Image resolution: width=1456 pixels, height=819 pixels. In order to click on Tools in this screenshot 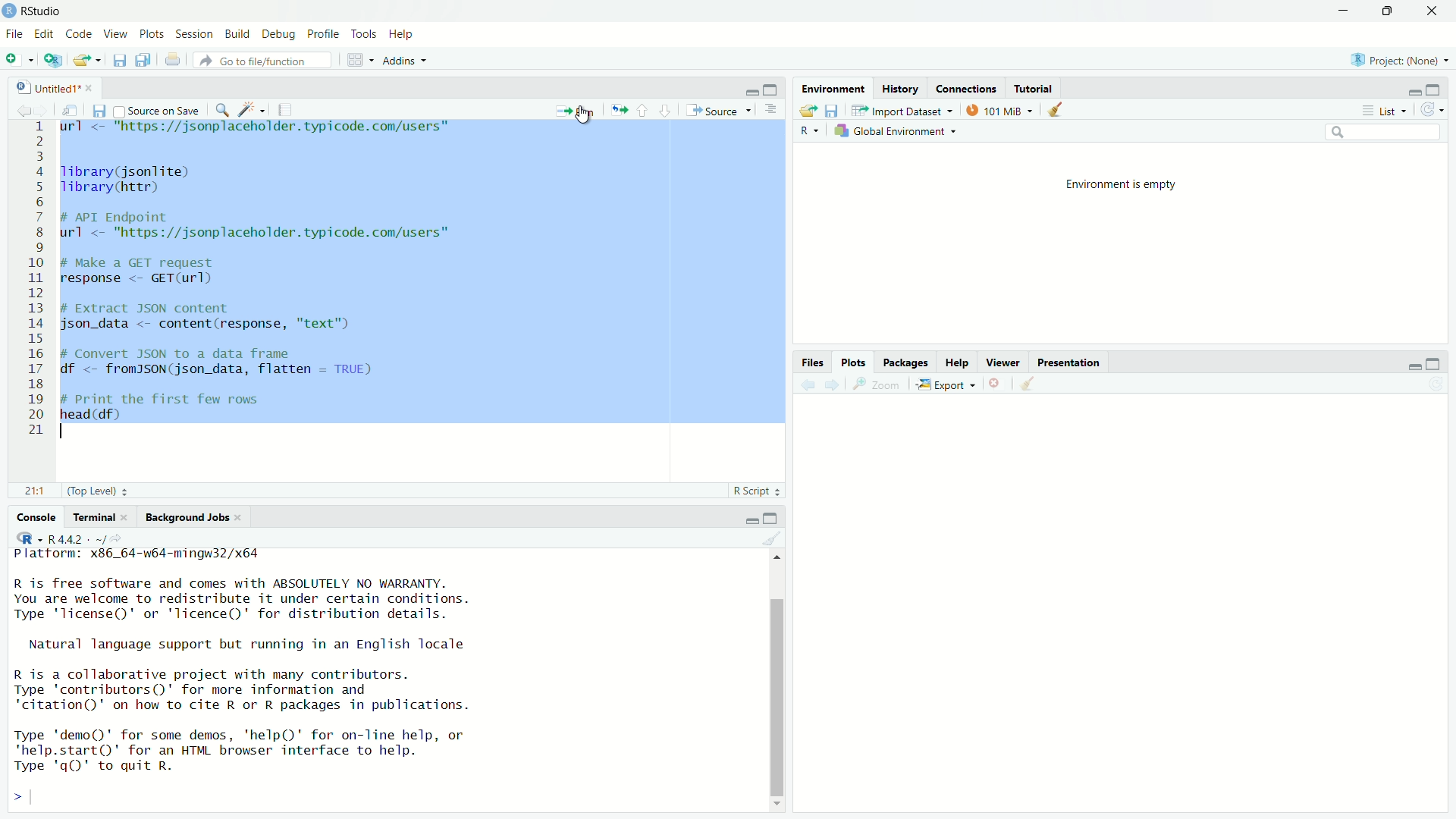, I will do `click(365, 35)`.